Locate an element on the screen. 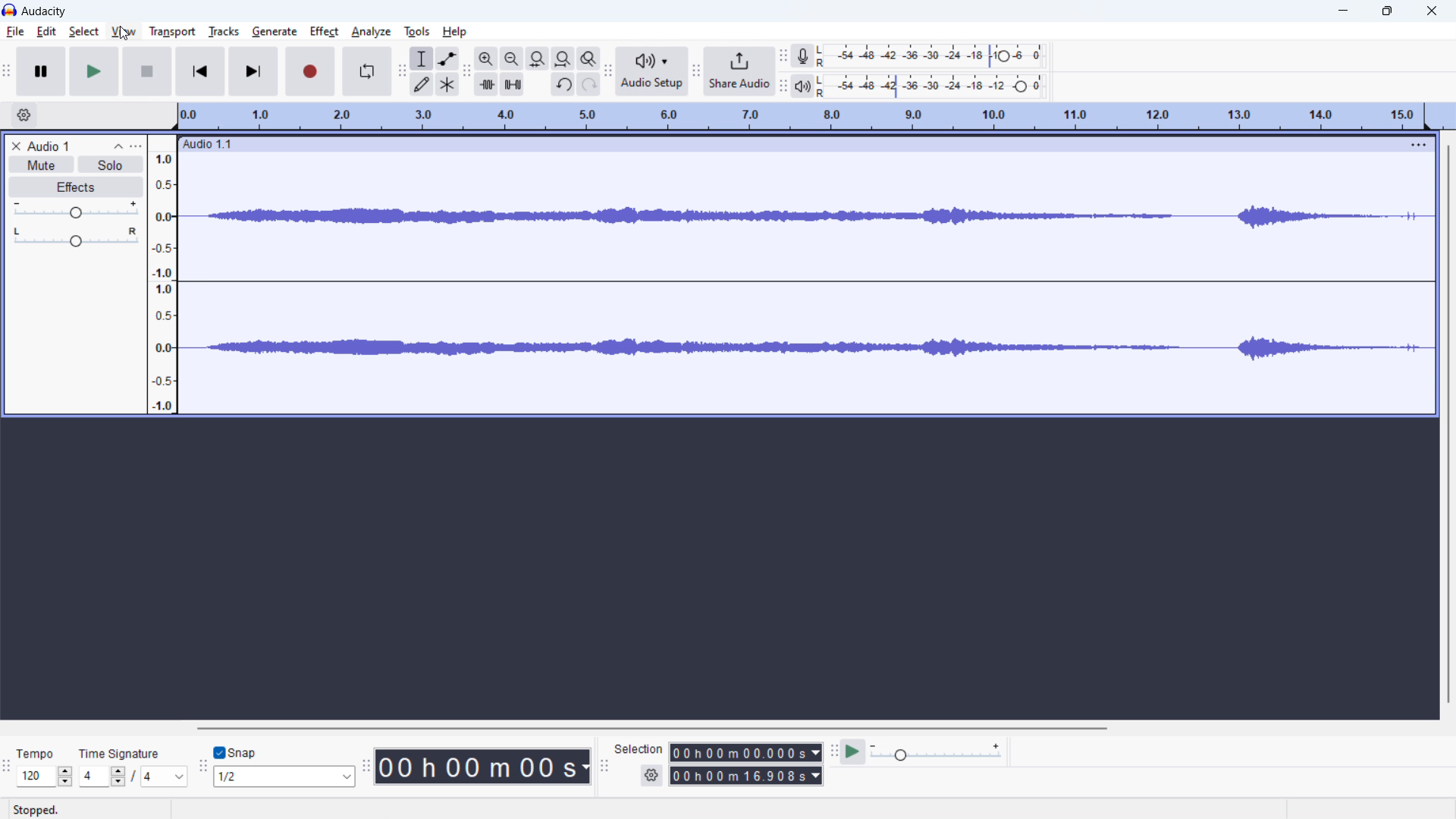 Image resolution: width=1456 pixels, height=819 pixels. fit project to width is located at coordinates (563, 58).